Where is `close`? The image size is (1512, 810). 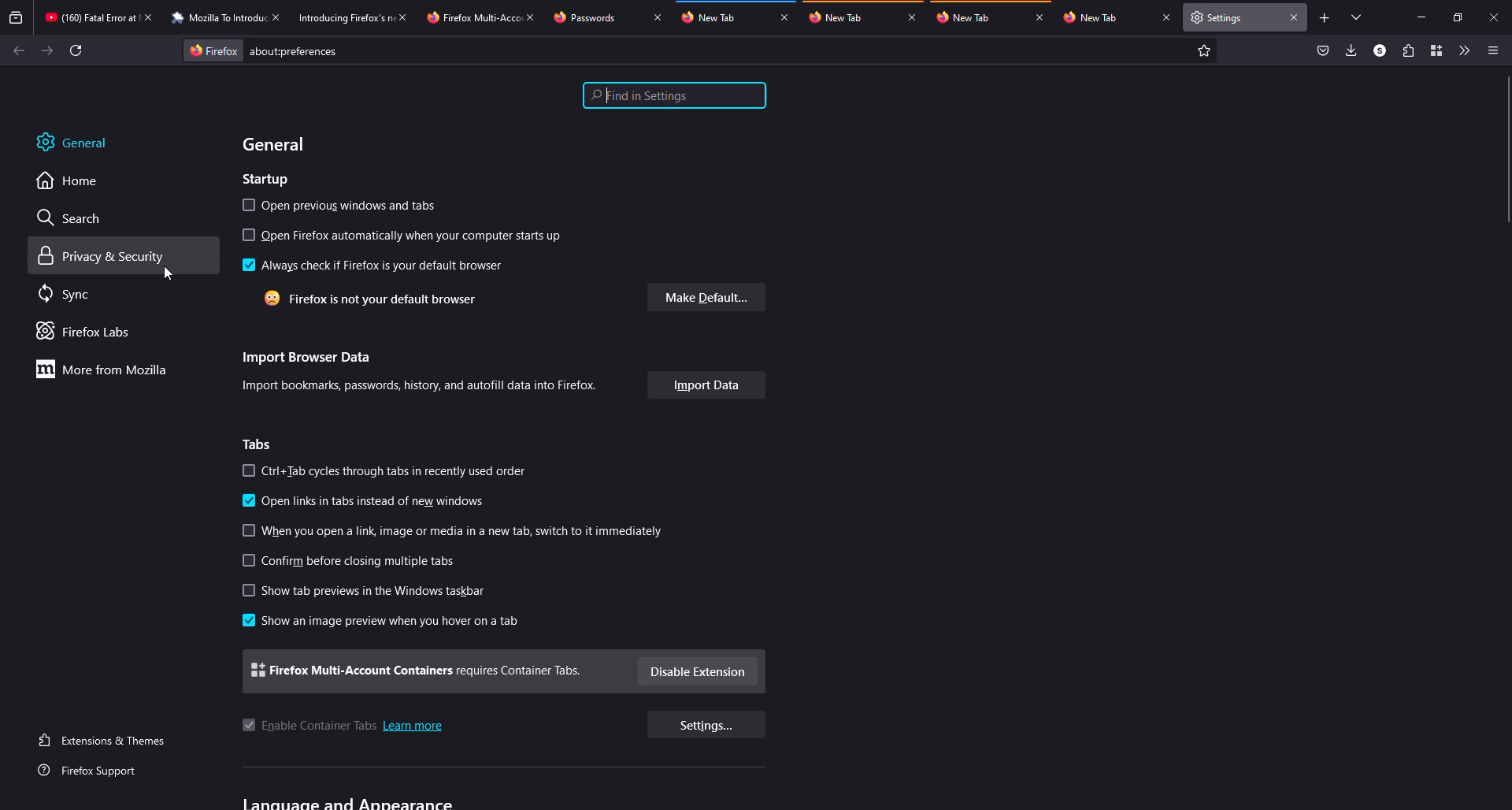
close is located at coordinates (1295, 20).